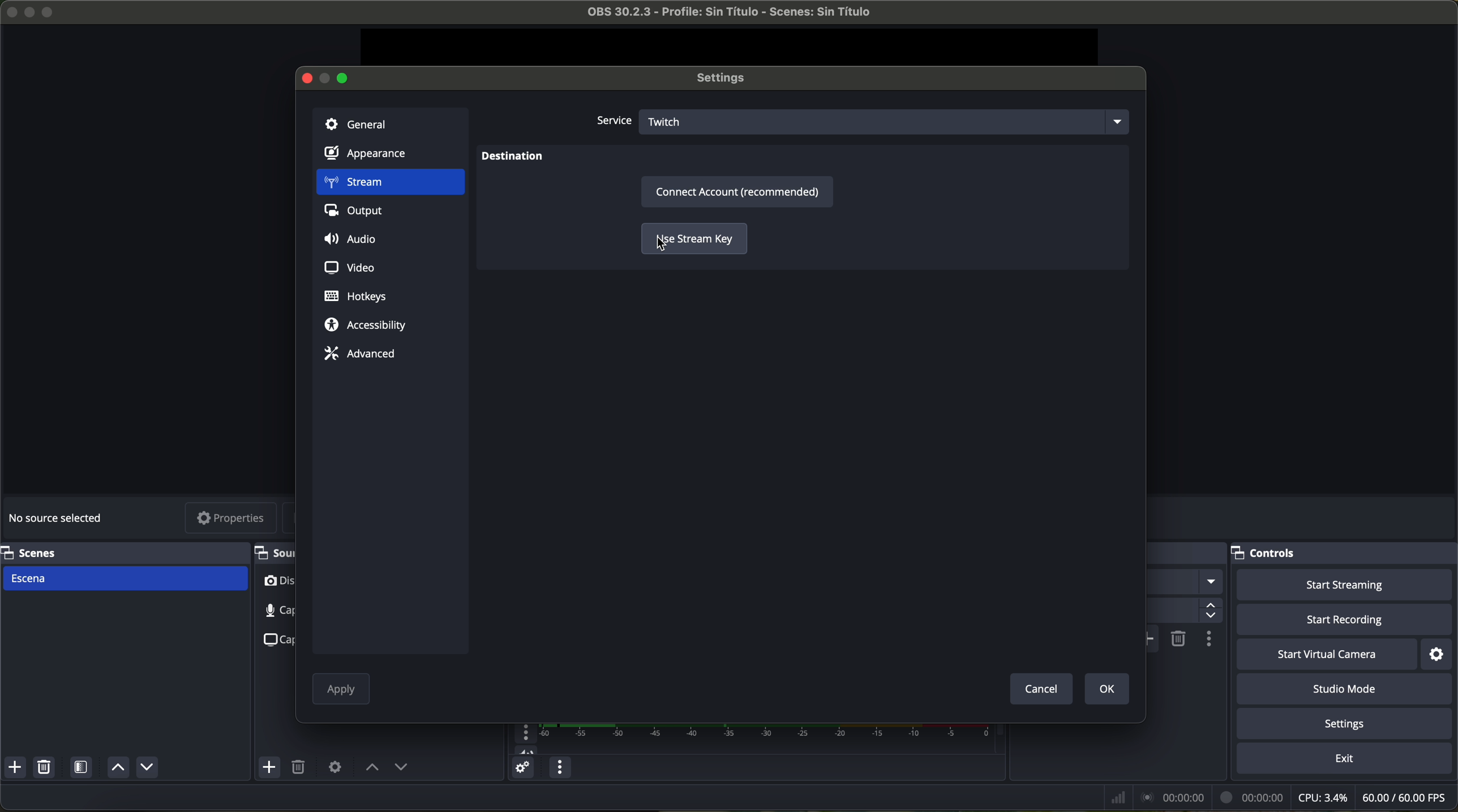 The image size is (1458, 812). I want to click on click on use stream key, so click(692, 240).